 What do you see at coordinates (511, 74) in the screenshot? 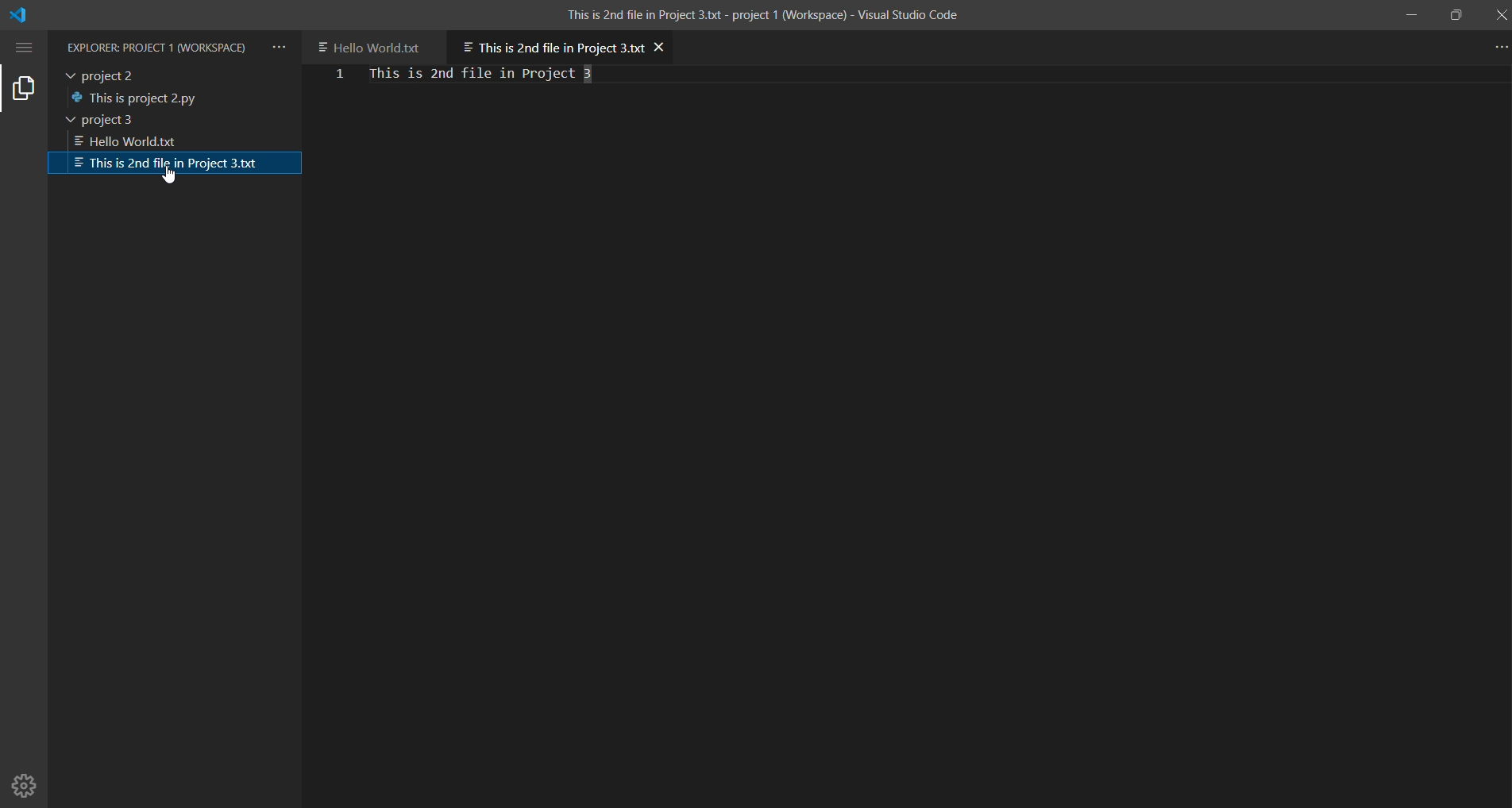
I see `file content` at bounding box center [511, 74].